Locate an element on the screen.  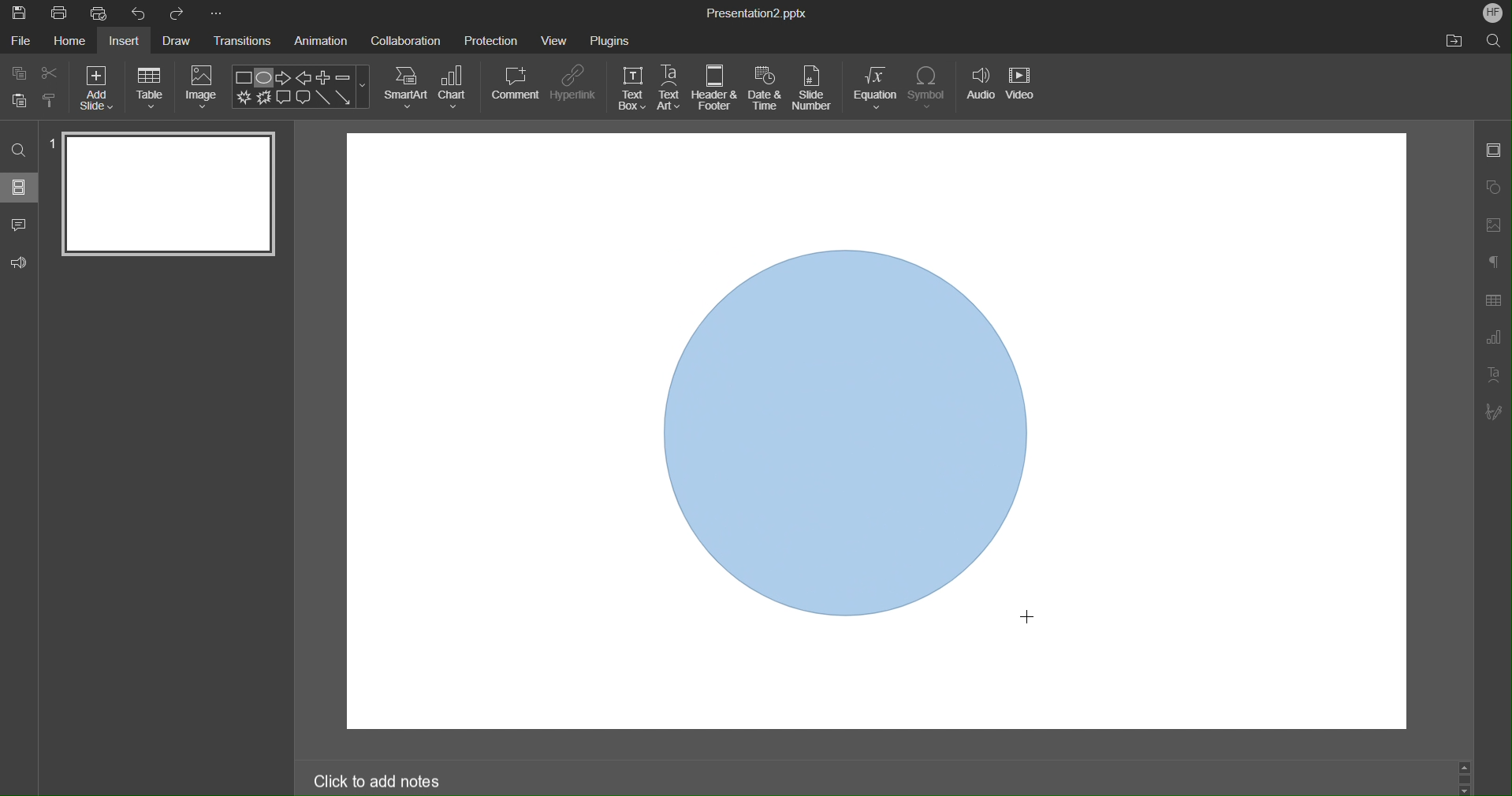
Shape Menu is located at coordinates (300, 87).